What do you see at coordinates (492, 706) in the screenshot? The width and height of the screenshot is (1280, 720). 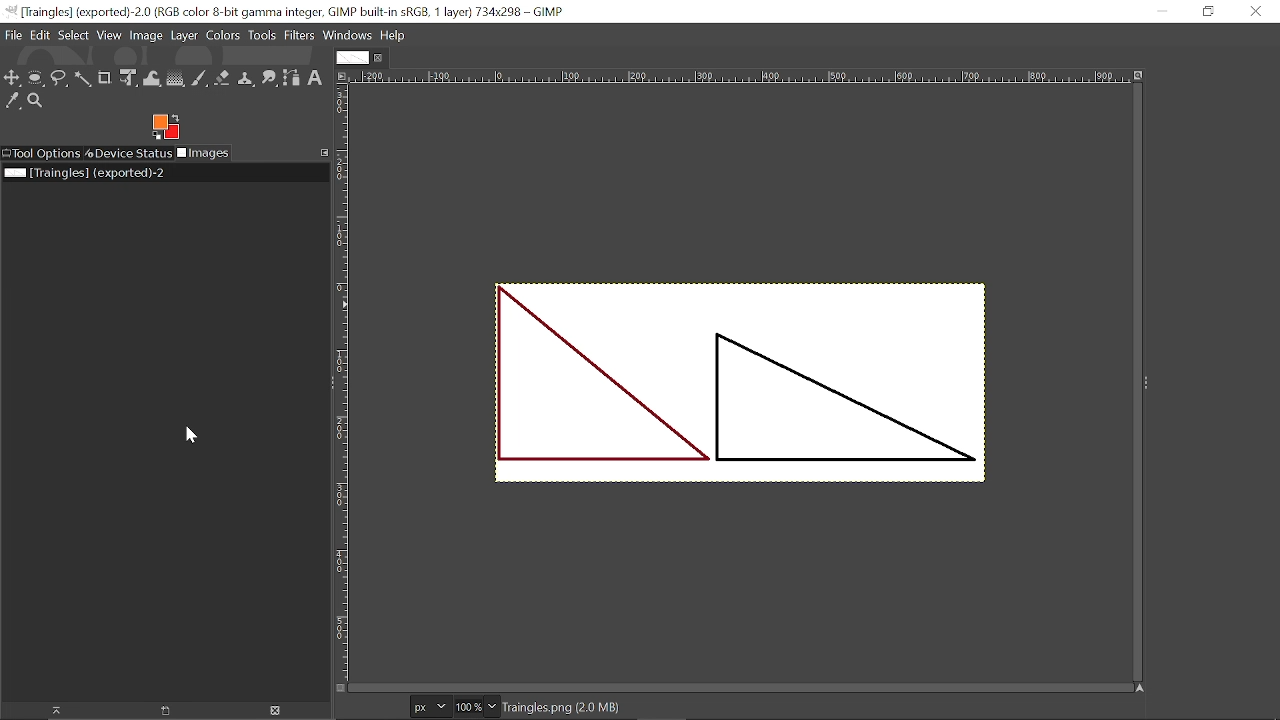 I see `Zoom option` at bounding box center [492, 706].